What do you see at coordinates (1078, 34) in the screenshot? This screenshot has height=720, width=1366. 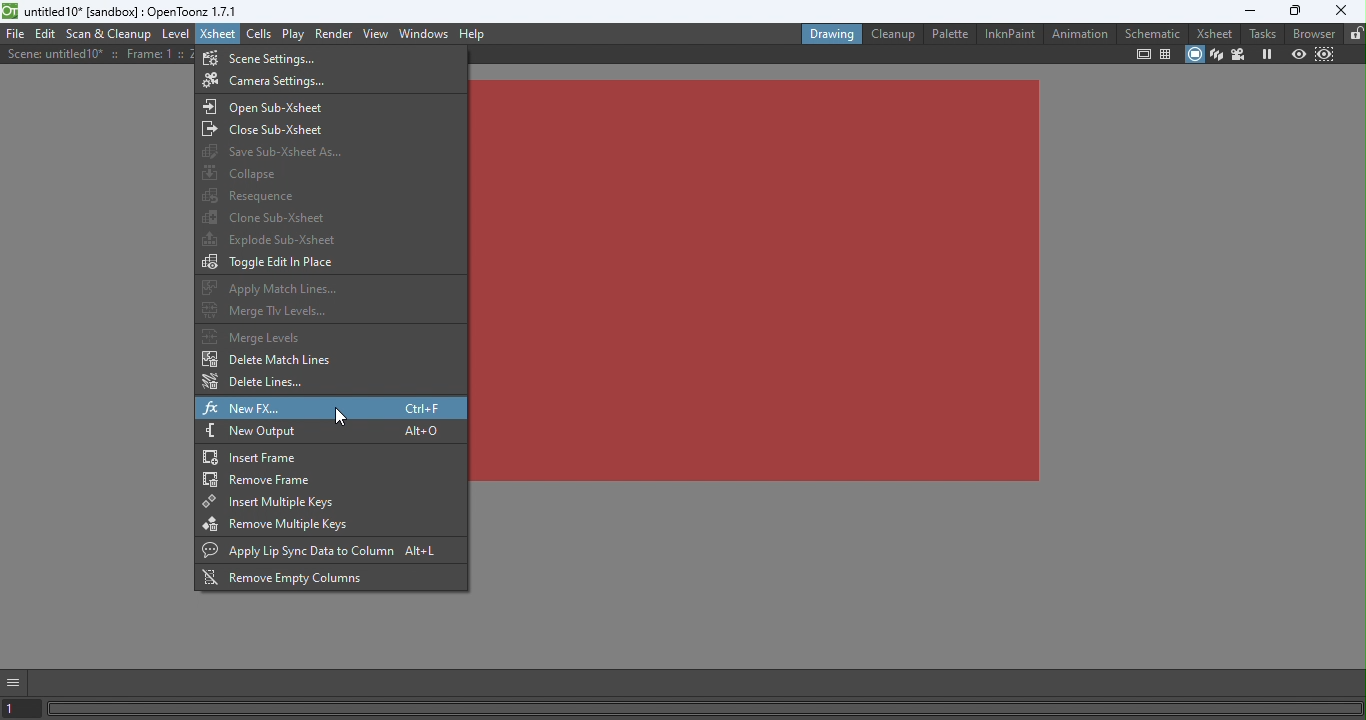 I see `Animation` at bounding box center [1078, 34].